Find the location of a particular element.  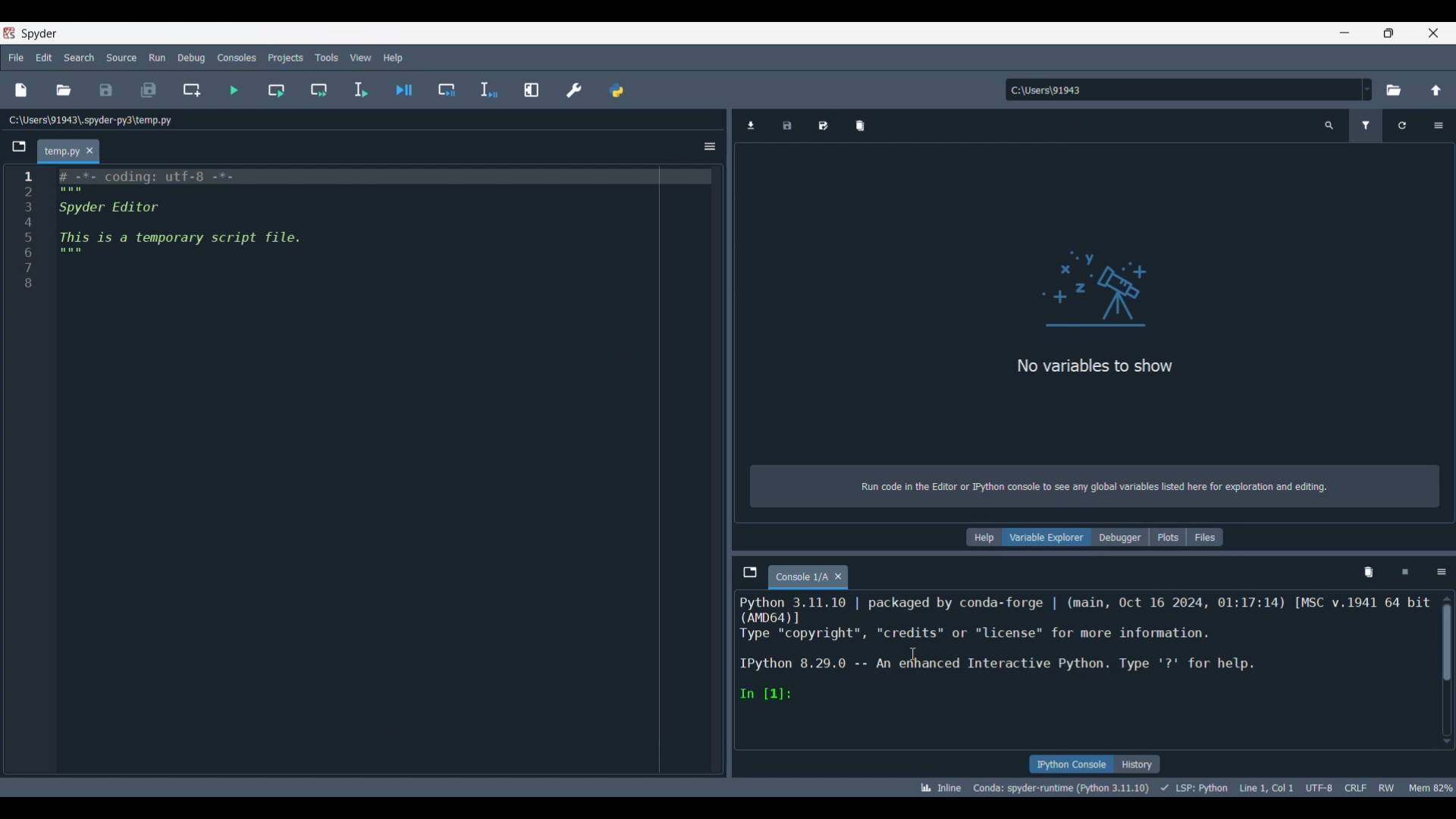

File location is located at coordinates (91, 120).